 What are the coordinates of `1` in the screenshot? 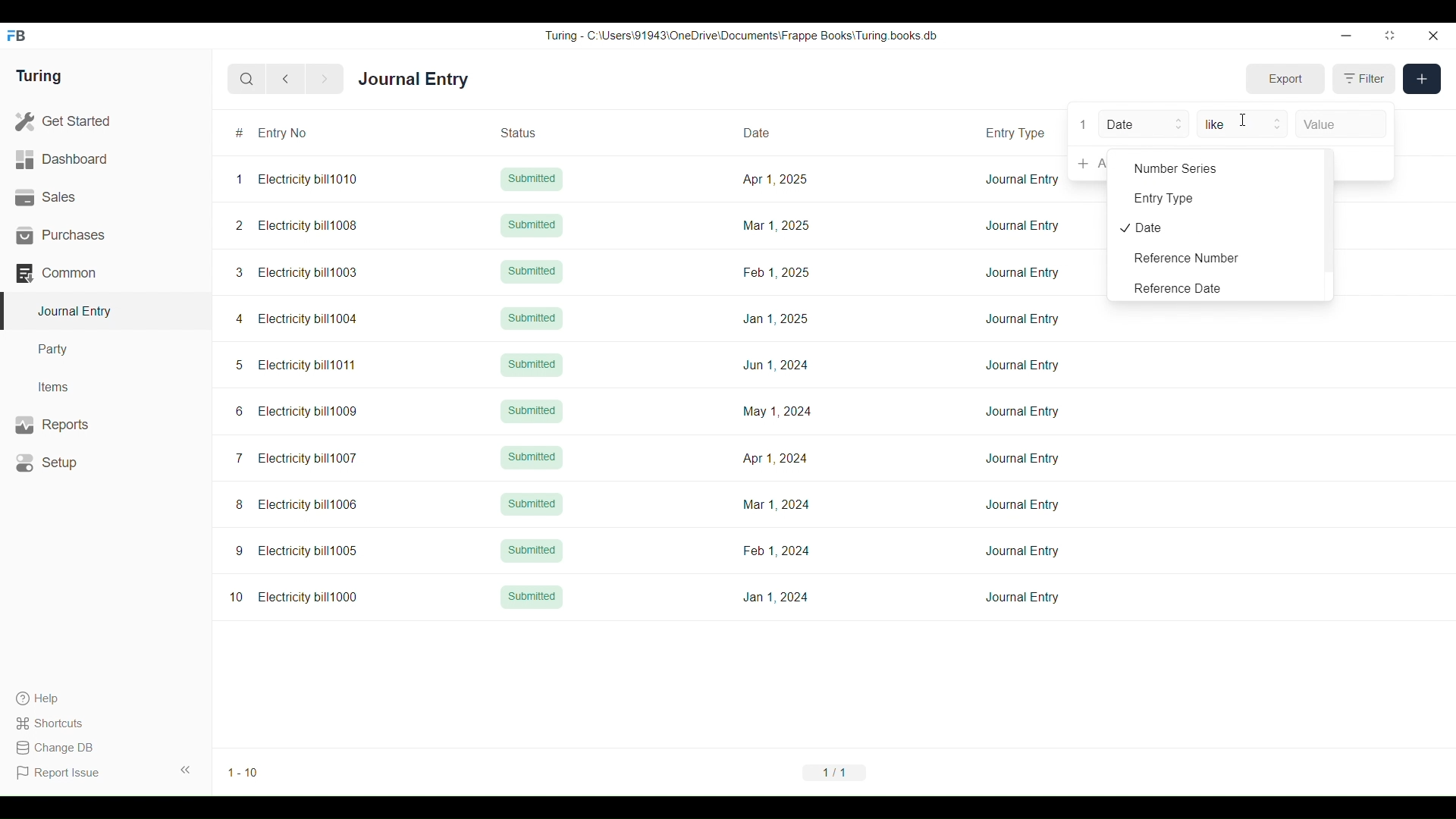 It's located at (1084, 124).